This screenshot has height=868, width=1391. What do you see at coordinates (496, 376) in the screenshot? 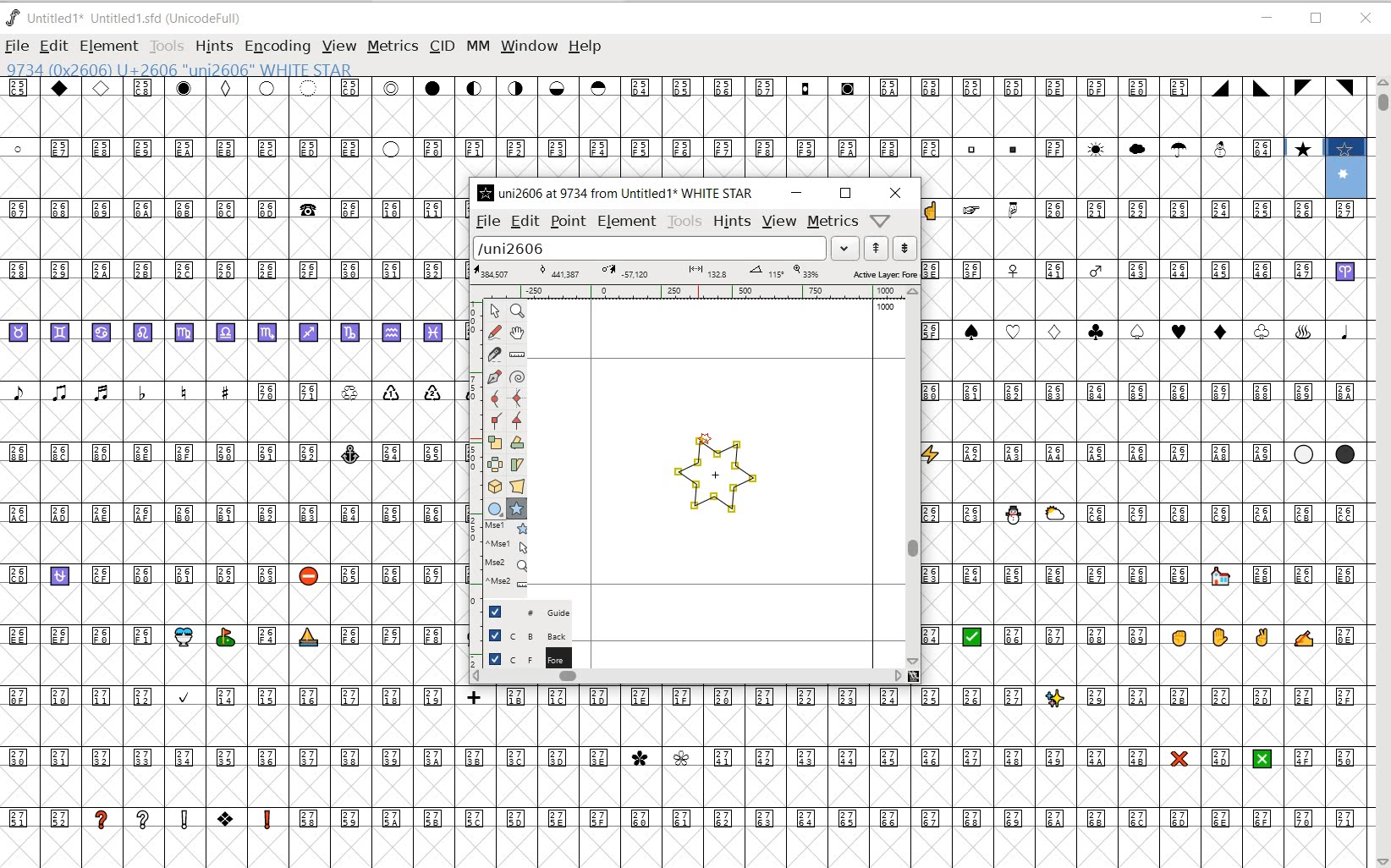
I see `ADD A POINT` at bounding box center [496, 376].